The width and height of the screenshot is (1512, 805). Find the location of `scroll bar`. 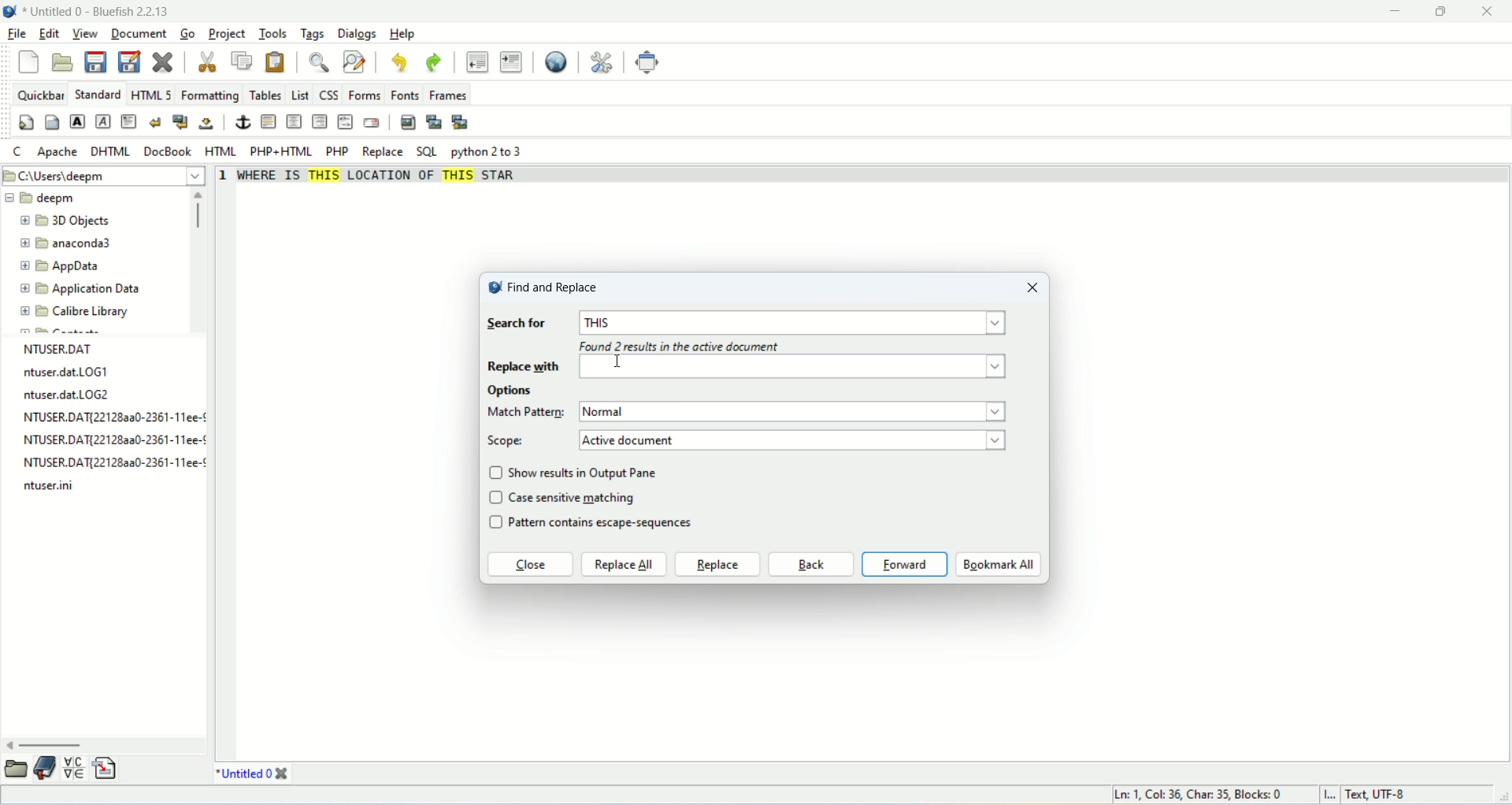

scroll bar is located at coordinates (105, 746).